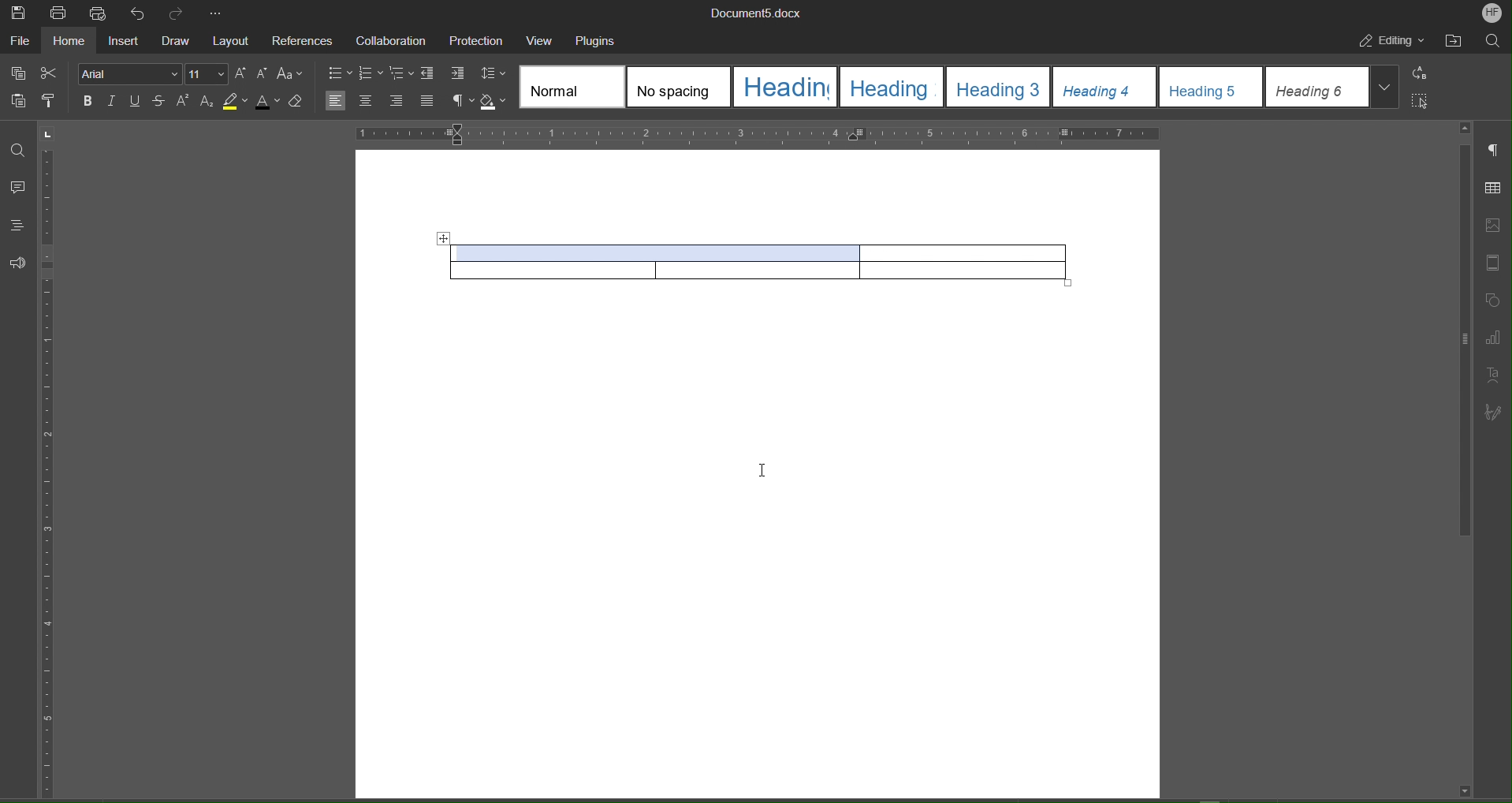 Image resolution: width=1512 pixels, height=803 pixels. What do you see at coordinates (128, 75) in the screenshot?
I see `Font` at bounding box center [128, 75].